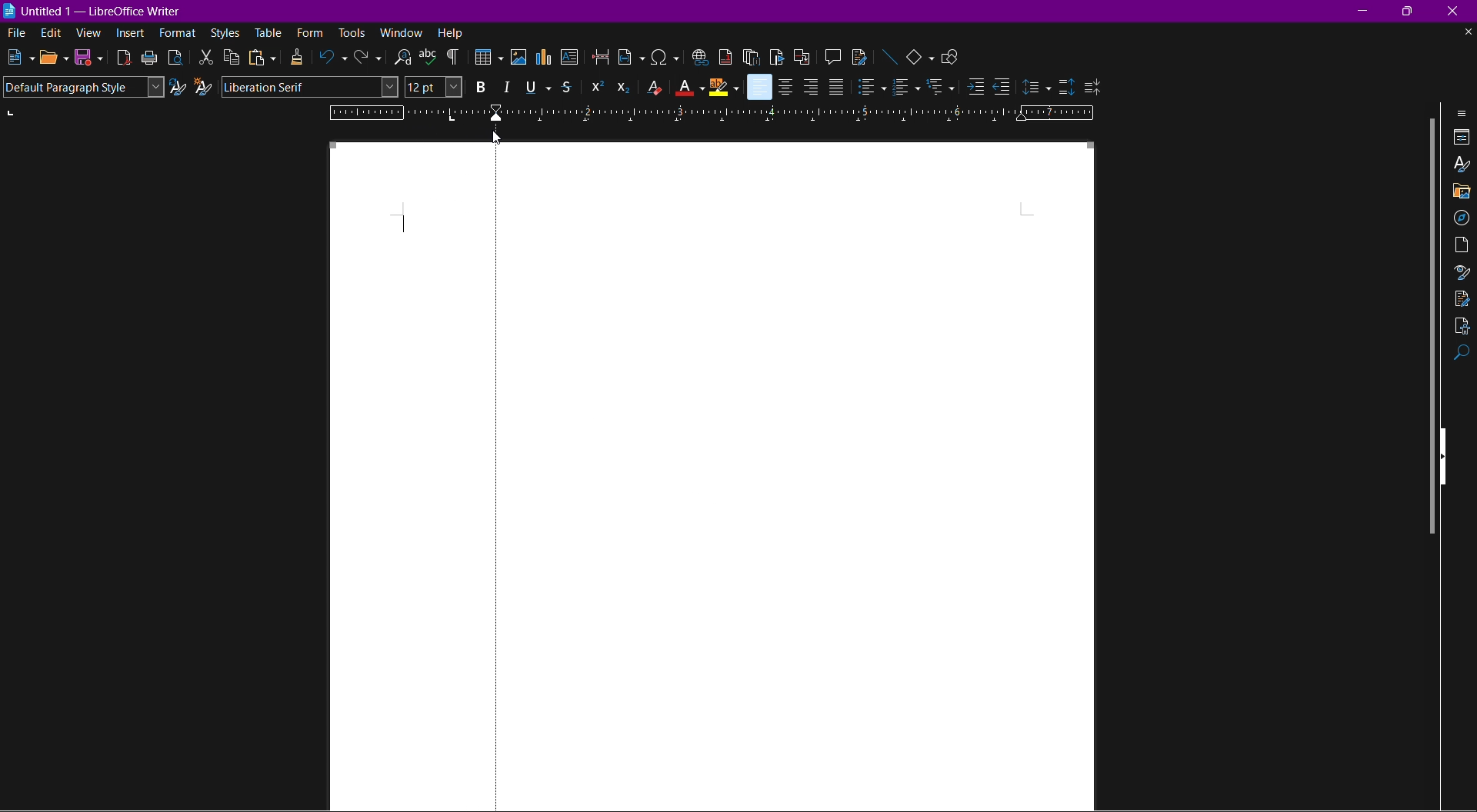  What do you see at coordinates (82, 87) in the screenshot?
I see `Paragraph Style` at bounding box center [82, 87].